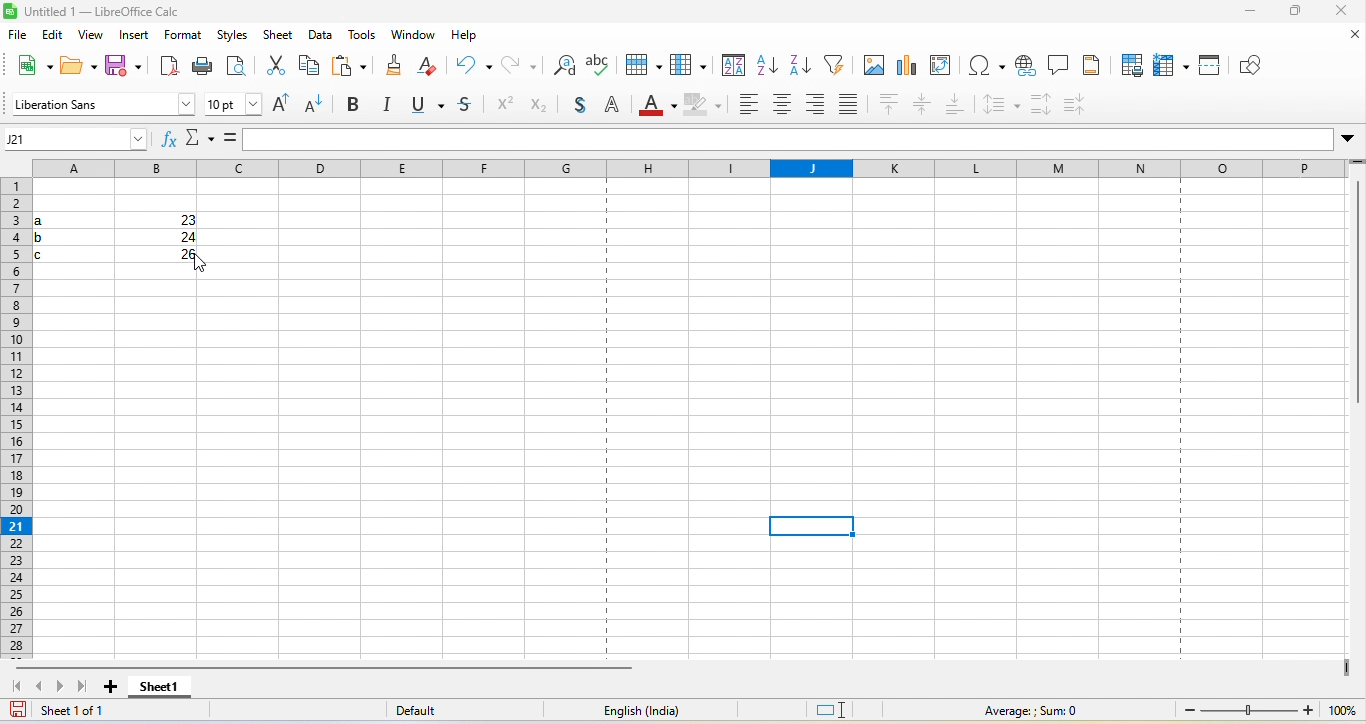 Image resolution: width=1366 pixels, height=724 pixels. What do you see at coordinates (318, 107) in the screenshot?
I see `decrease font size` at bounding box center [318, 107].